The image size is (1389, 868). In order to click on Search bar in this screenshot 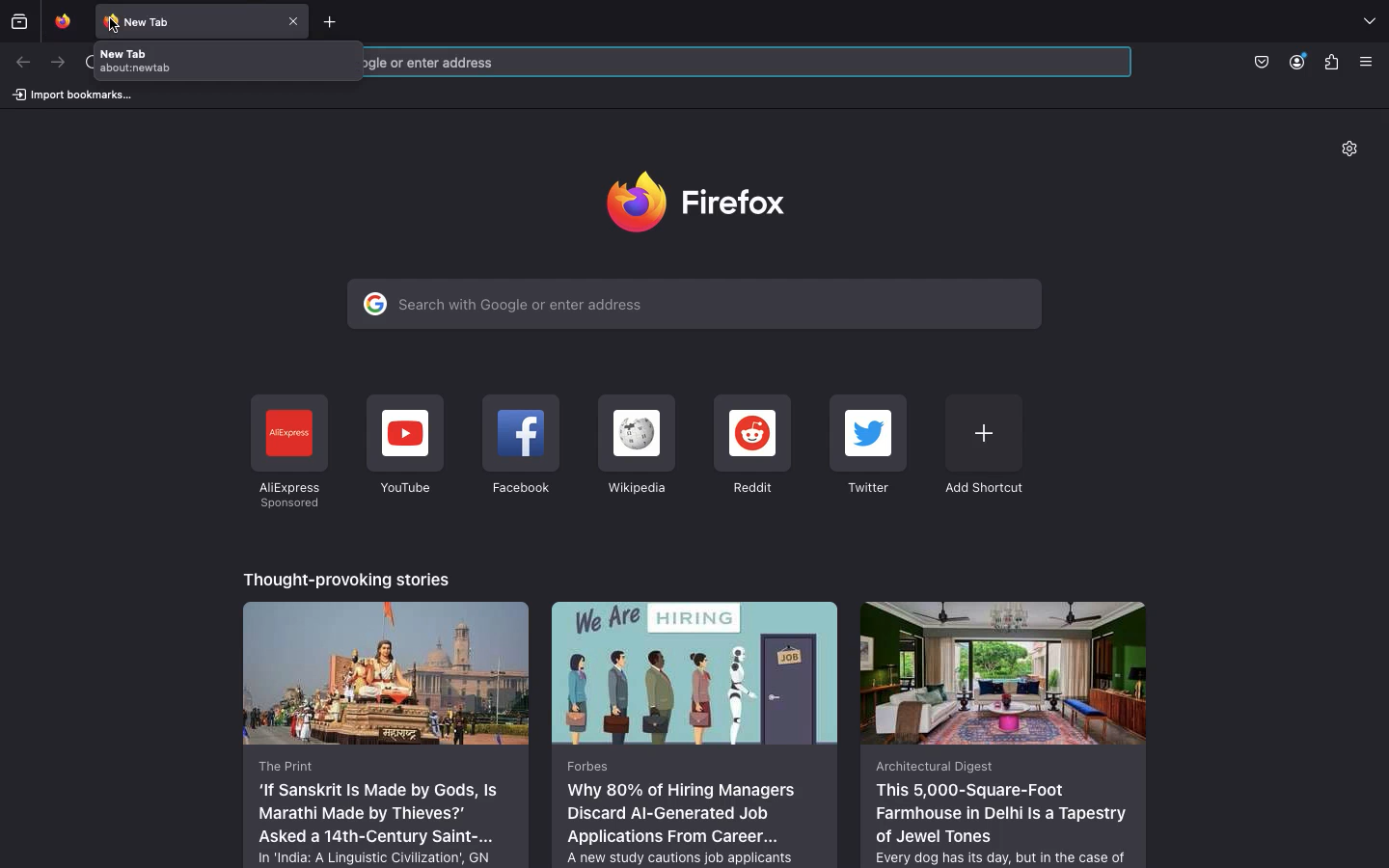, I will do `click(694, 304)`.